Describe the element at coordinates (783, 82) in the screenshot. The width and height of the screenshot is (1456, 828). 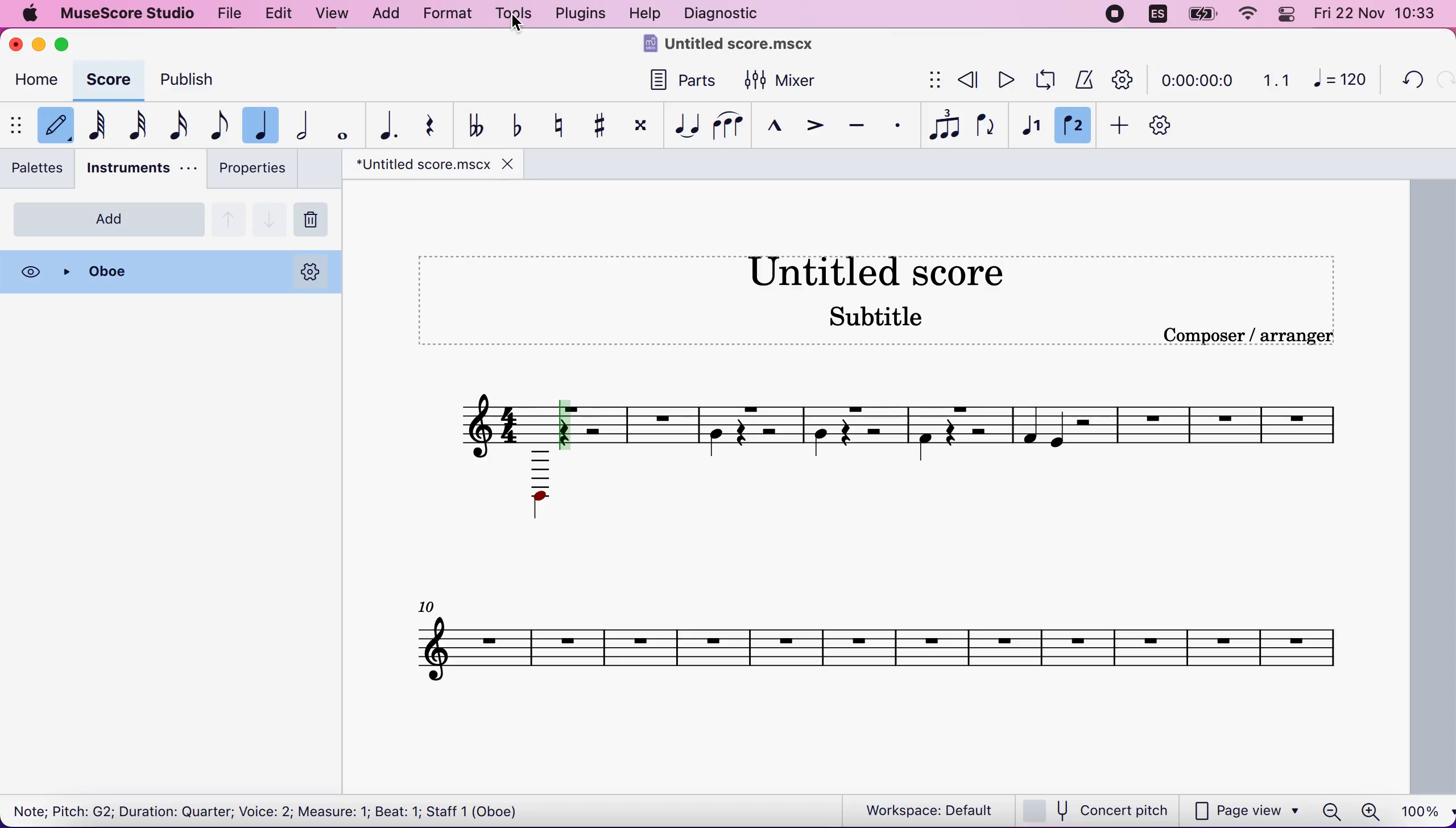
I see `mixer` at that location.